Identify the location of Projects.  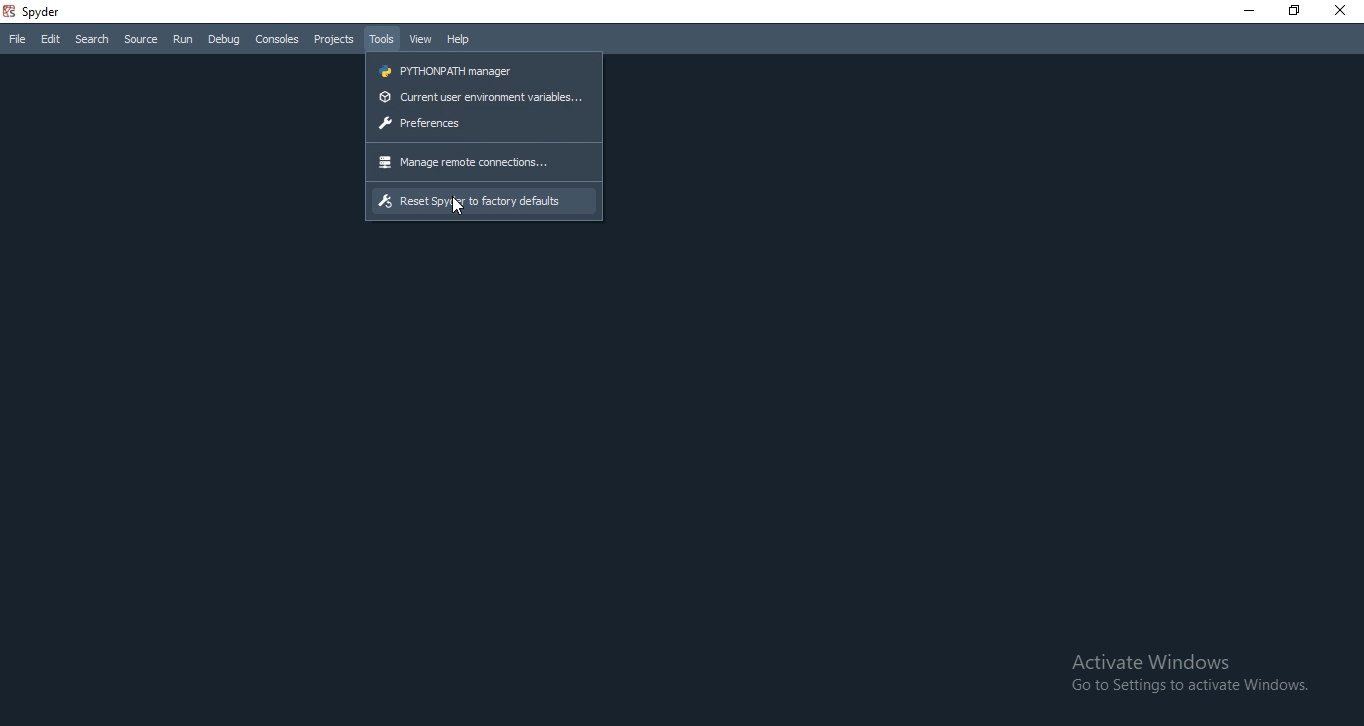
(332, 39).